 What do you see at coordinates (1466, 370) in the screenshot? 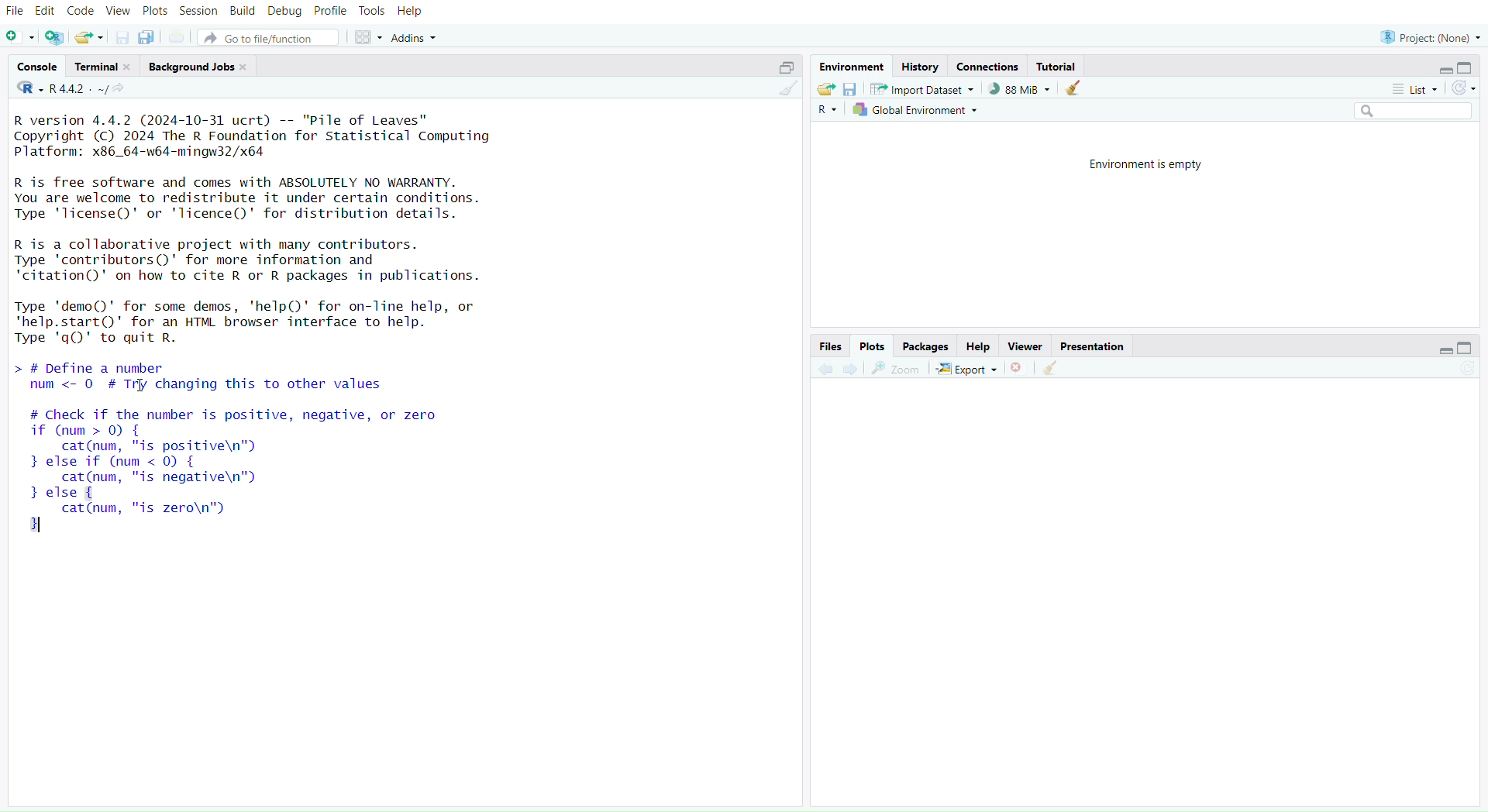
I see `refresh current plot` at bounding box center [1466, 370].